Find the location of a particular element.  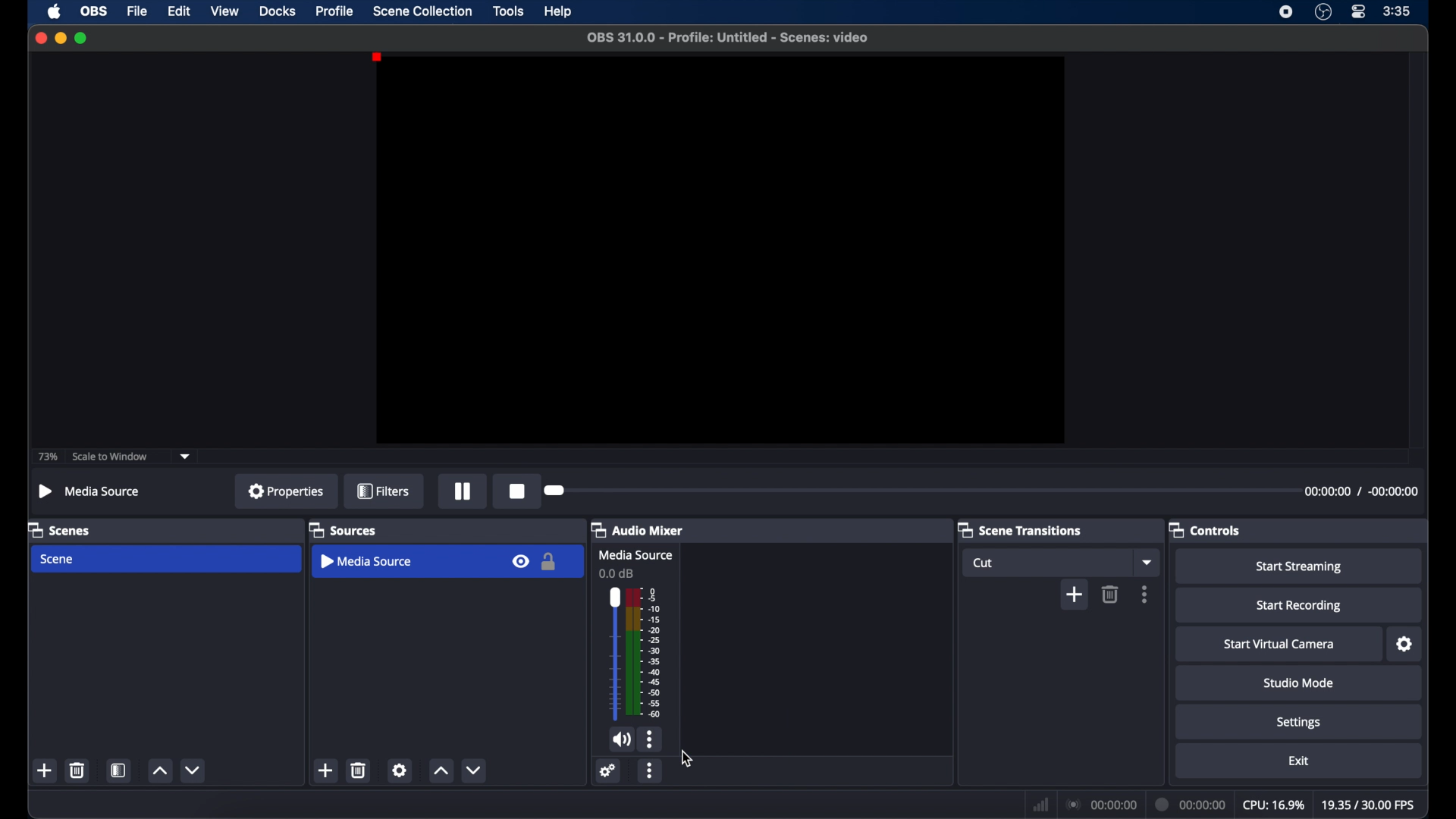

decrement is located at coordinates (193, 770).